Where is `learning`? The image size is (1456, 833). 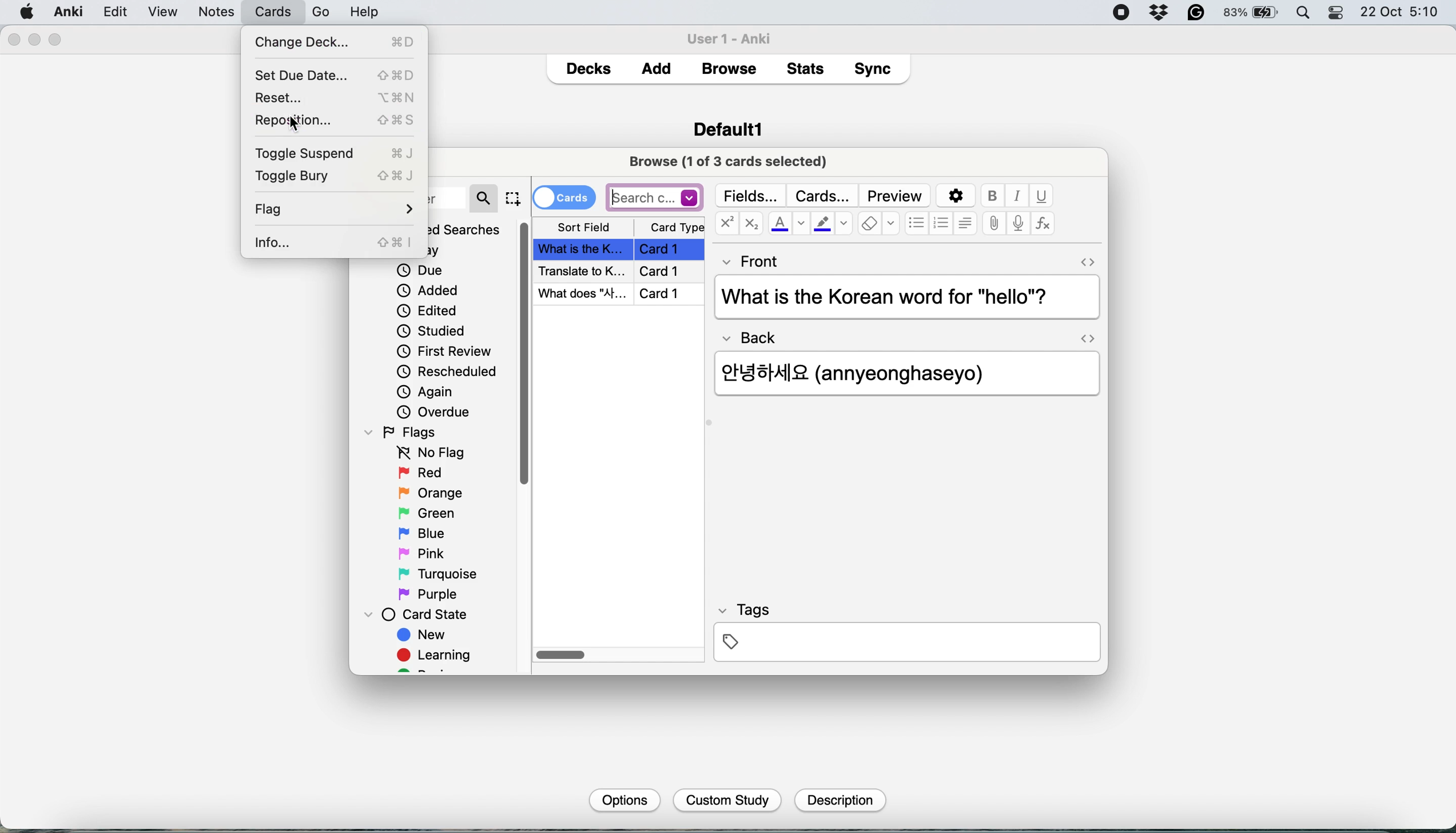
learning is located at coordinates (438, 657).